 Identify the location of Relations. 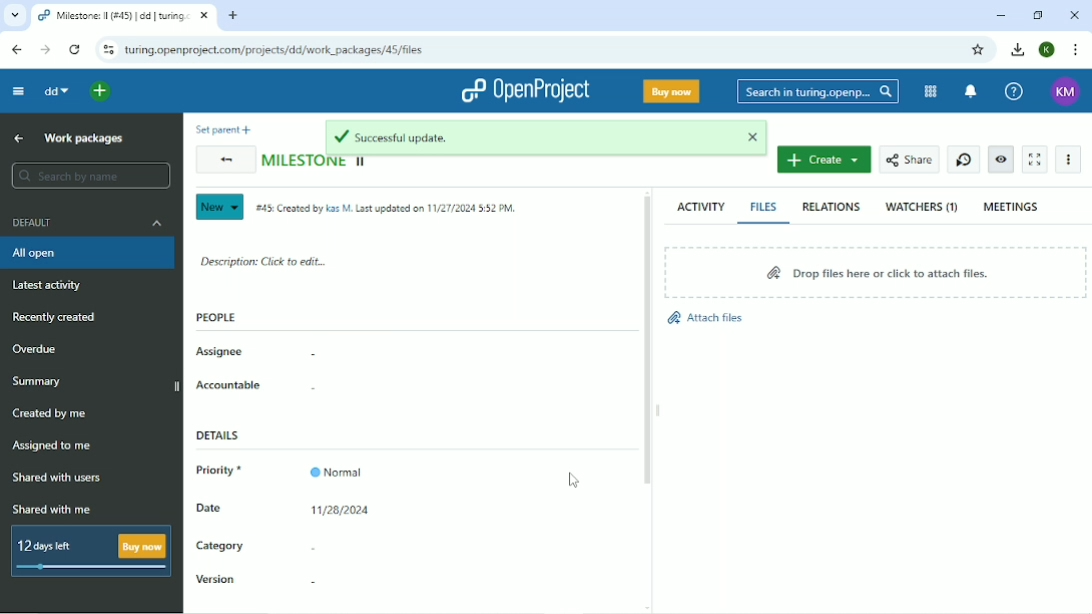
(831, 207).